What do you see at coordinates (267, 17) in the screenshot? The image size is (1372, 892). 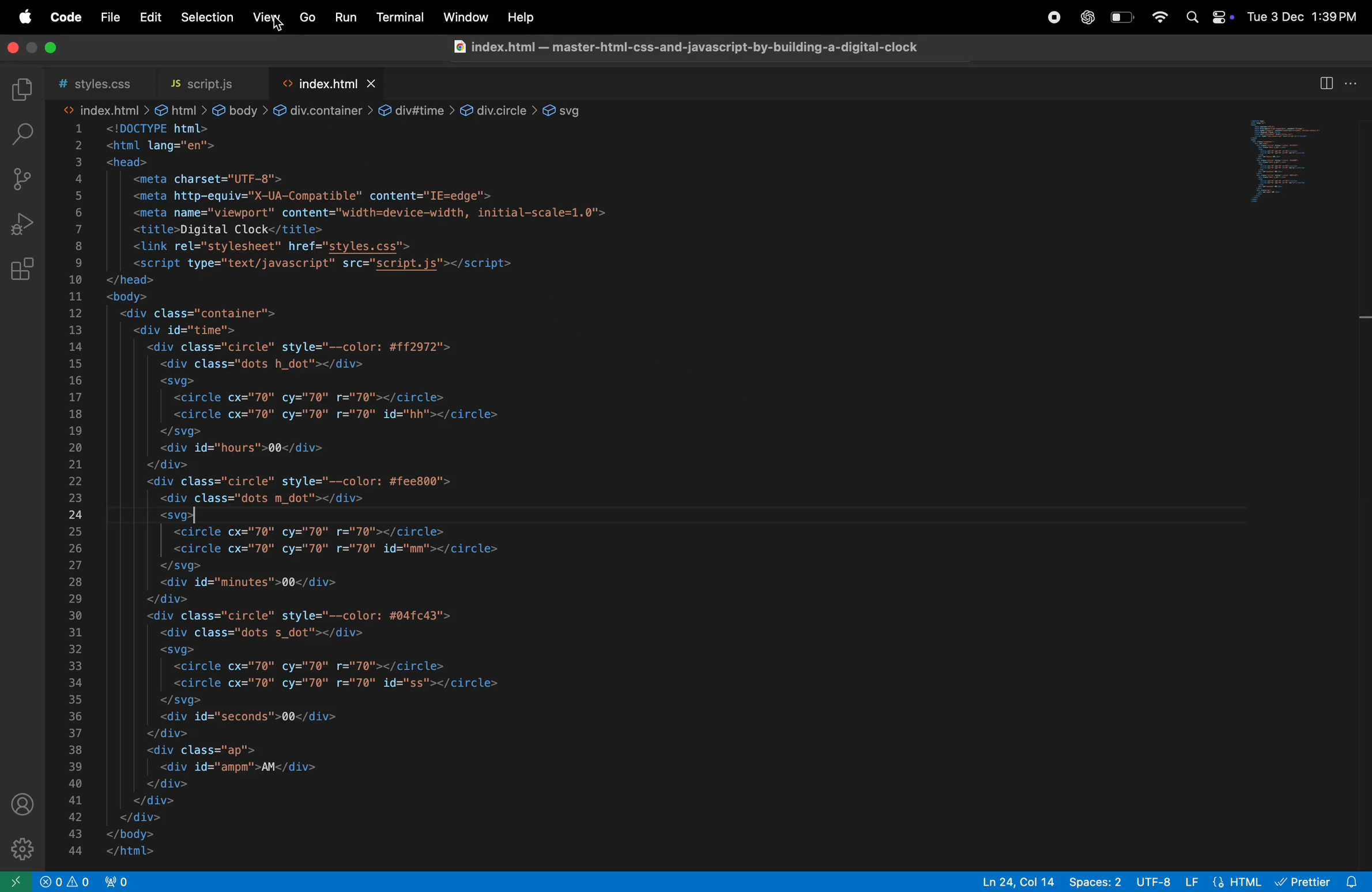 I see `view` at bounding box center [267, 17].